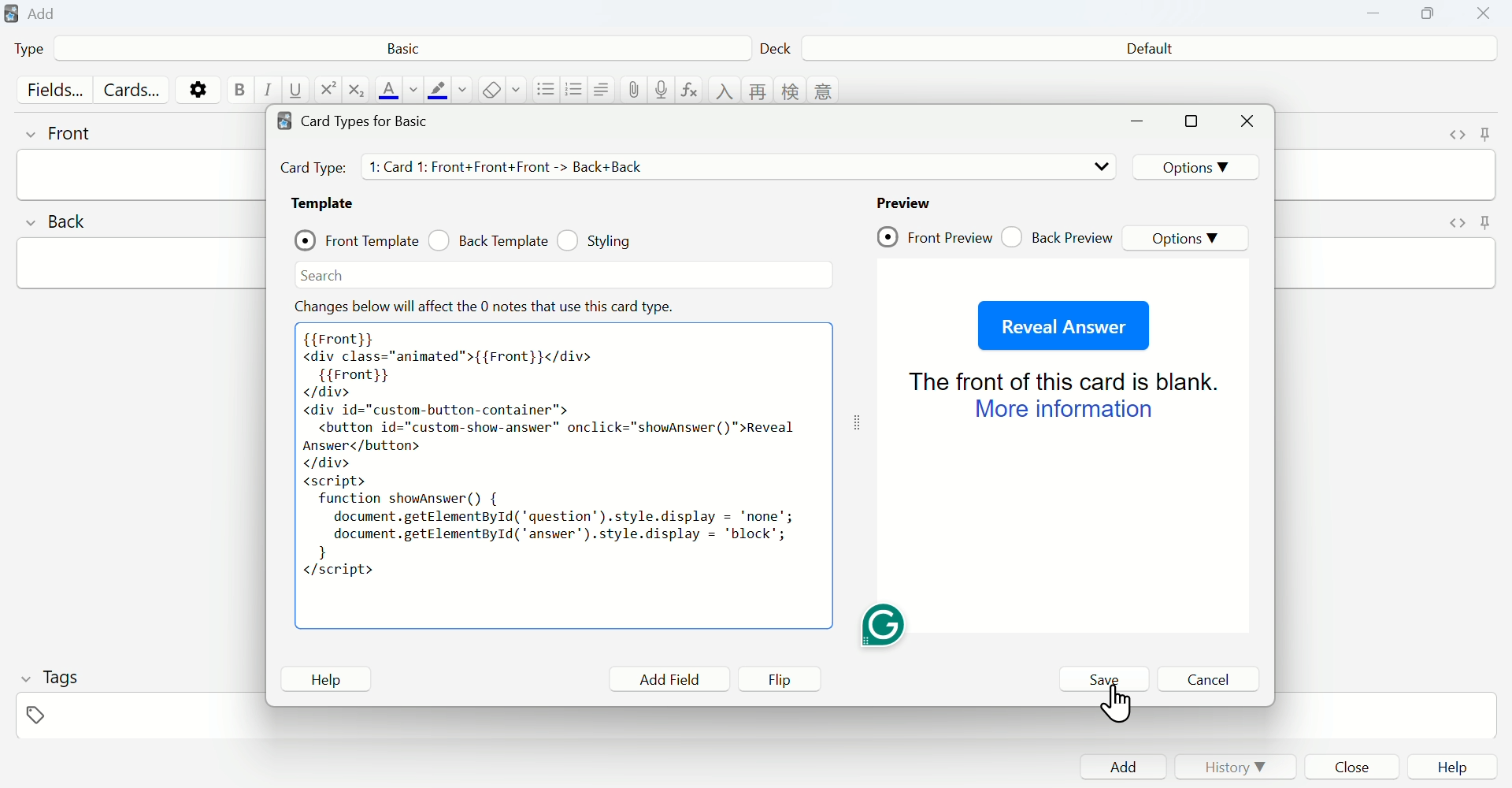 This screenshot has width=1512, height=788. Describe the element at coordinates (1123, 767) in the screenshot. I see `Add` at that location.